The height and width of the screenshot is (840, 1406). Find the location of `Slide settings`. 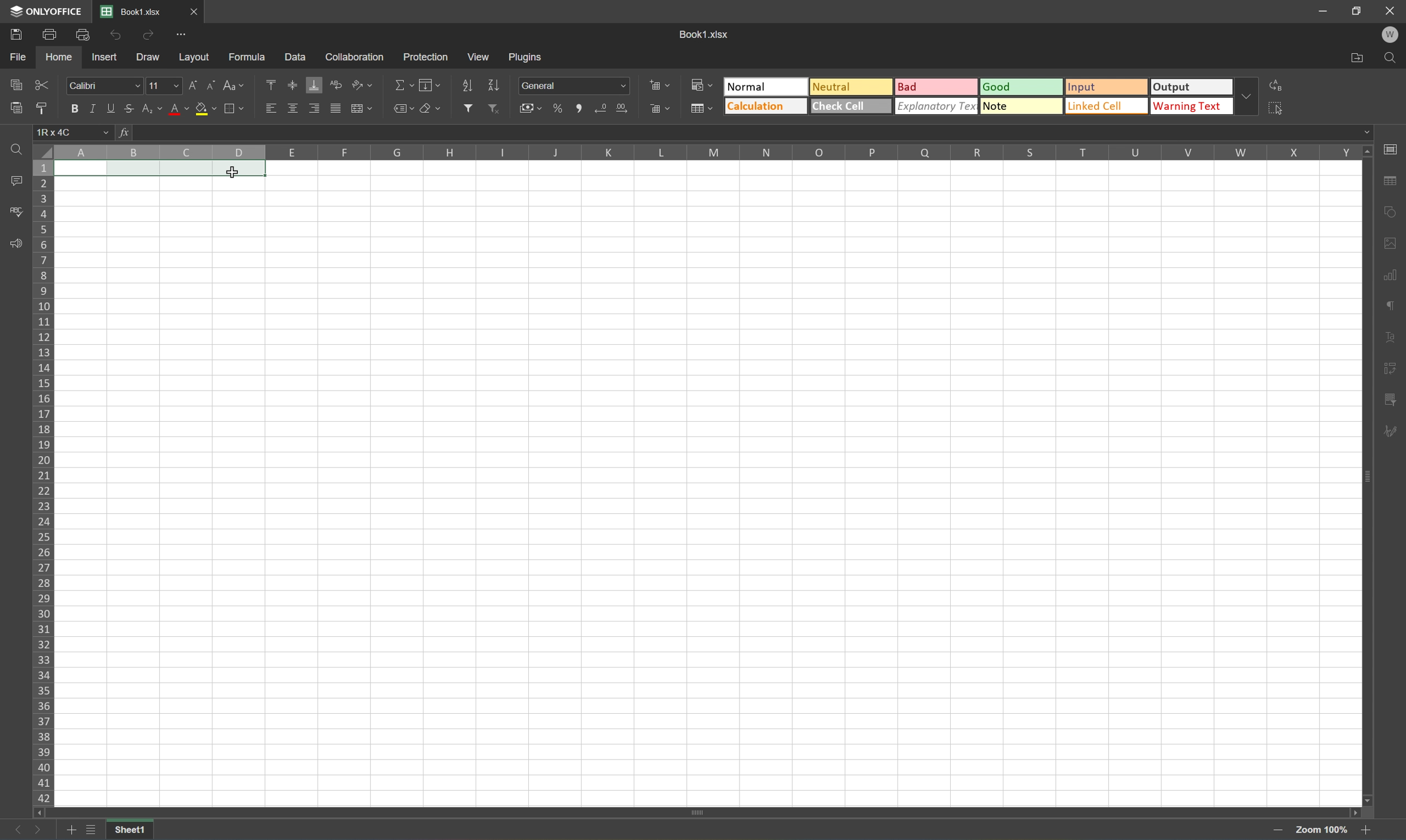

Slide settings is located at coordinates (1393, 149).